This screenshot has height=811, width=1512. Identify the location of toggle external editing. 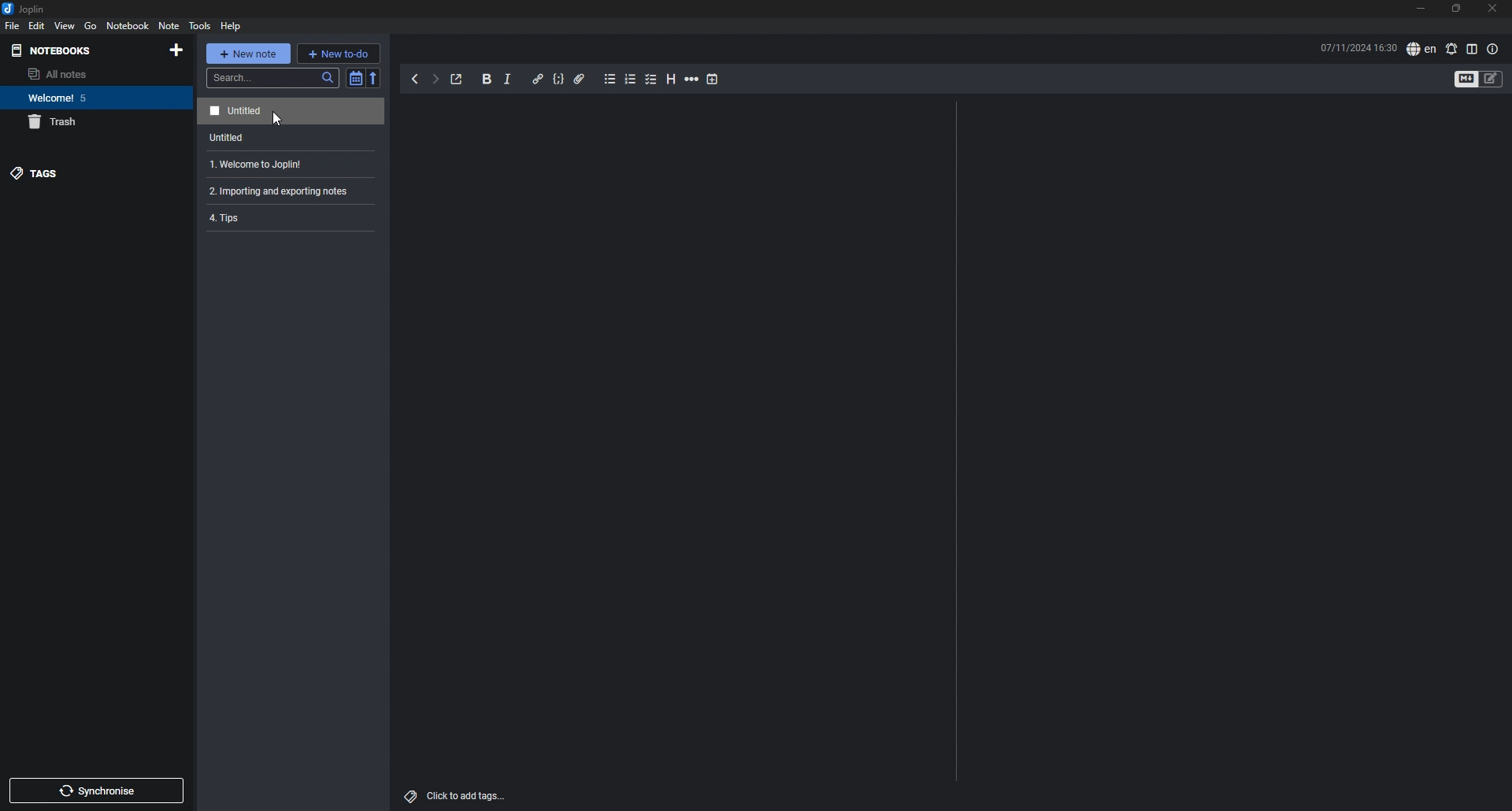
(457, 80).